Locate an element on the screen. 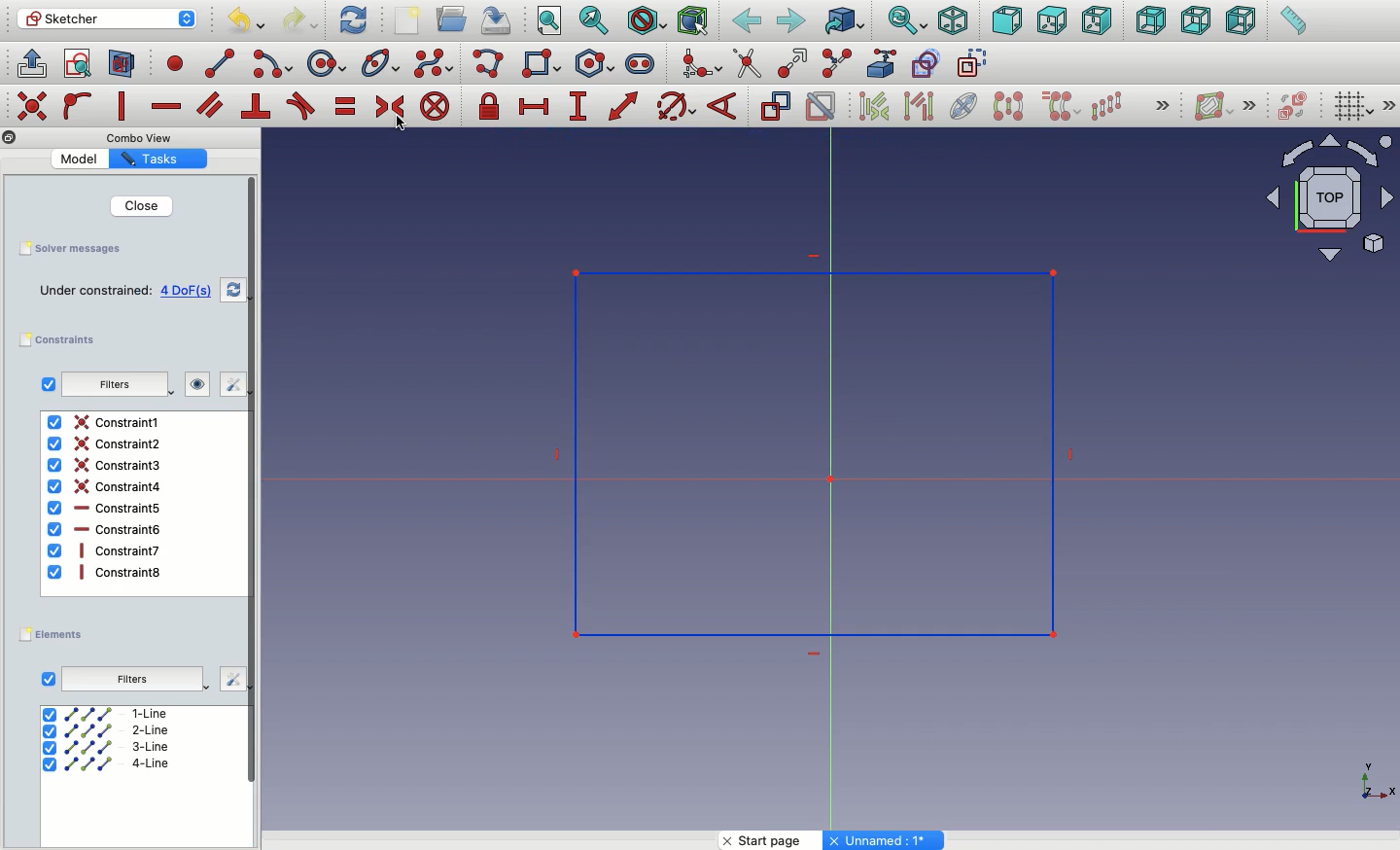 This screenshot has height=850, width=1400. visibility  is located at coordinates (193, 384).